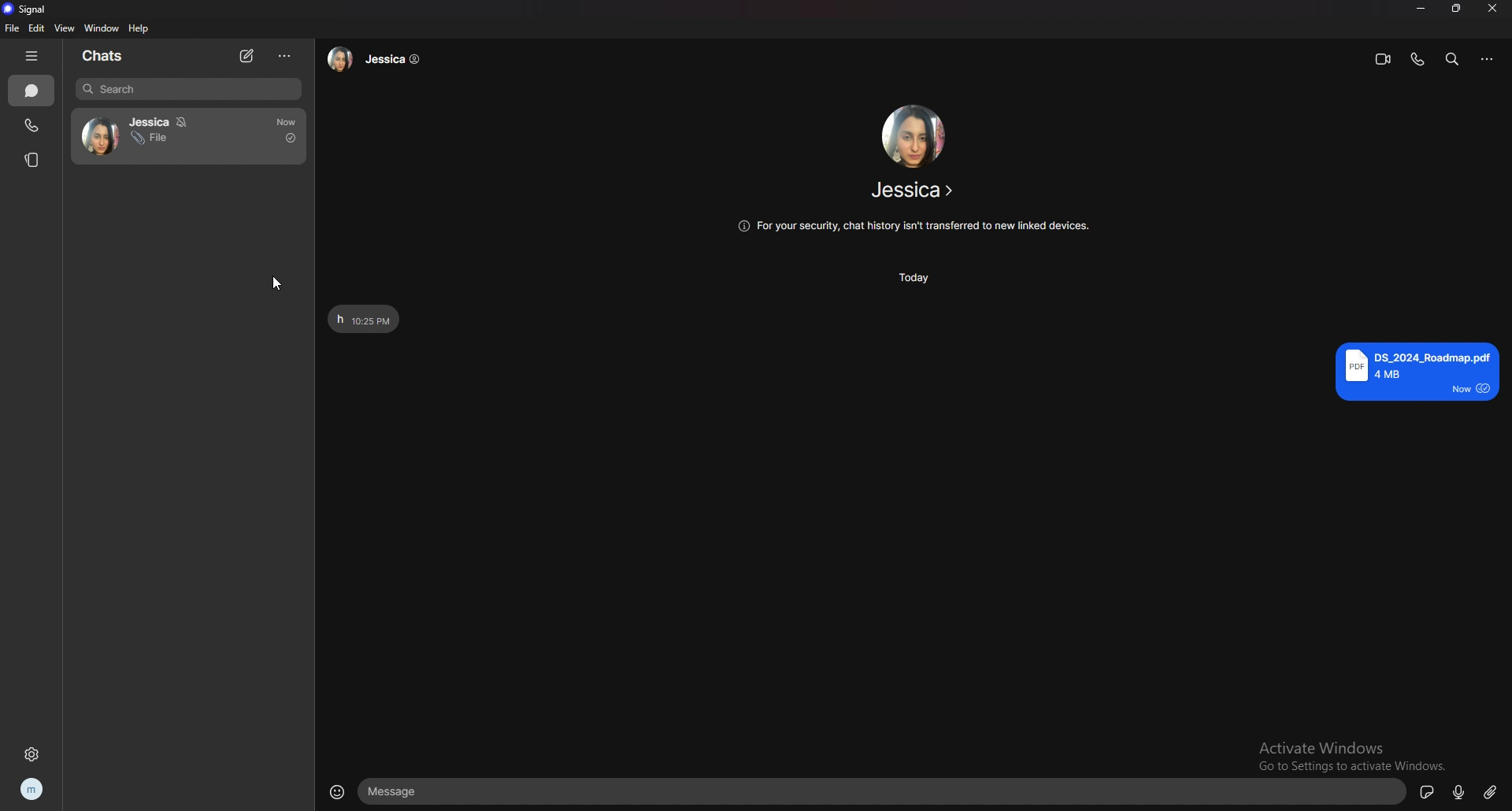  What do you see at coordinates (286, 57) in the screenshot?
I see `options` at bounding box center [286, 57].